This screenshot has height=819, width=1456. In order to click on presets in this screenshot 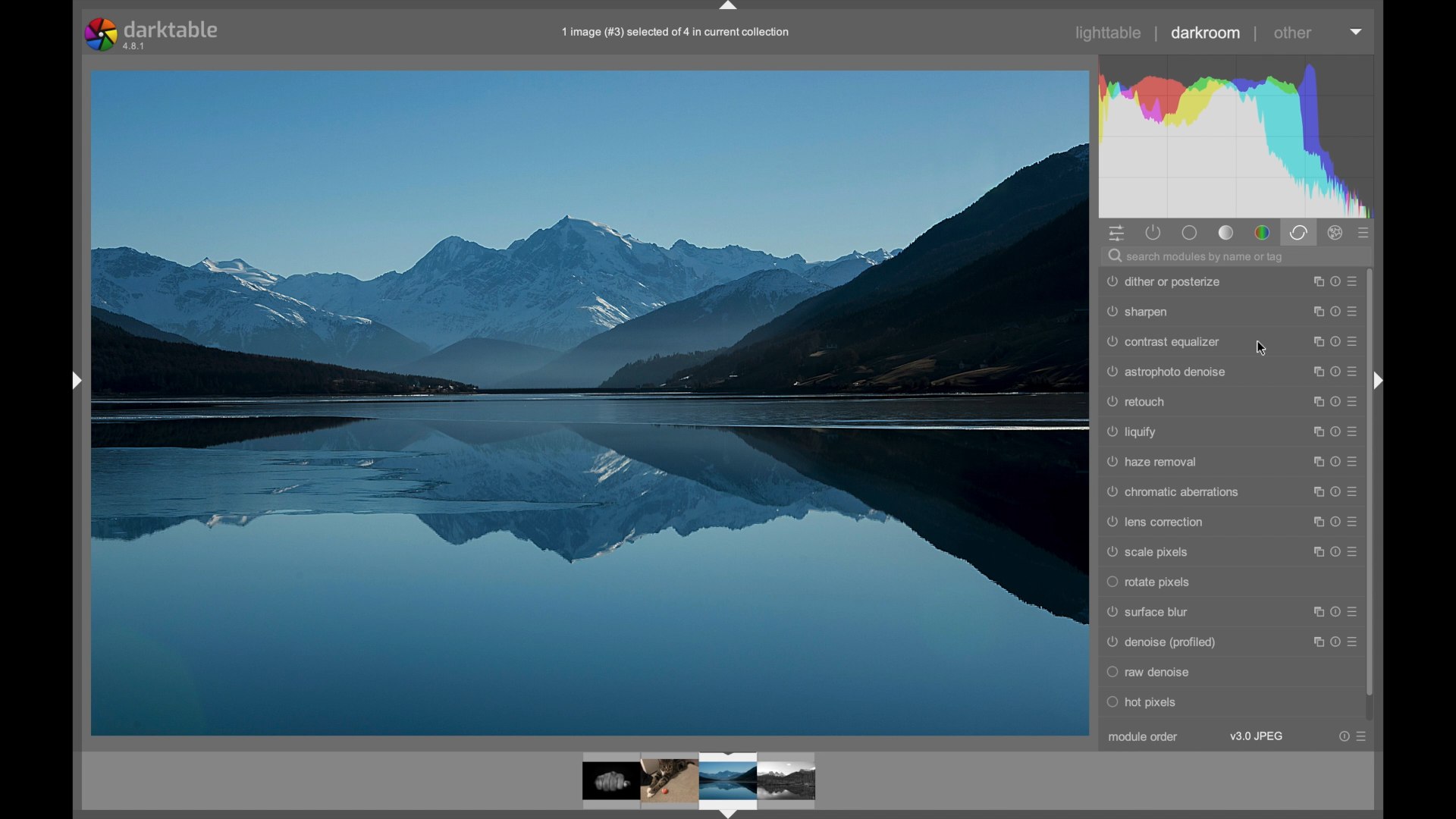, I will do `click(1364, 232)`.